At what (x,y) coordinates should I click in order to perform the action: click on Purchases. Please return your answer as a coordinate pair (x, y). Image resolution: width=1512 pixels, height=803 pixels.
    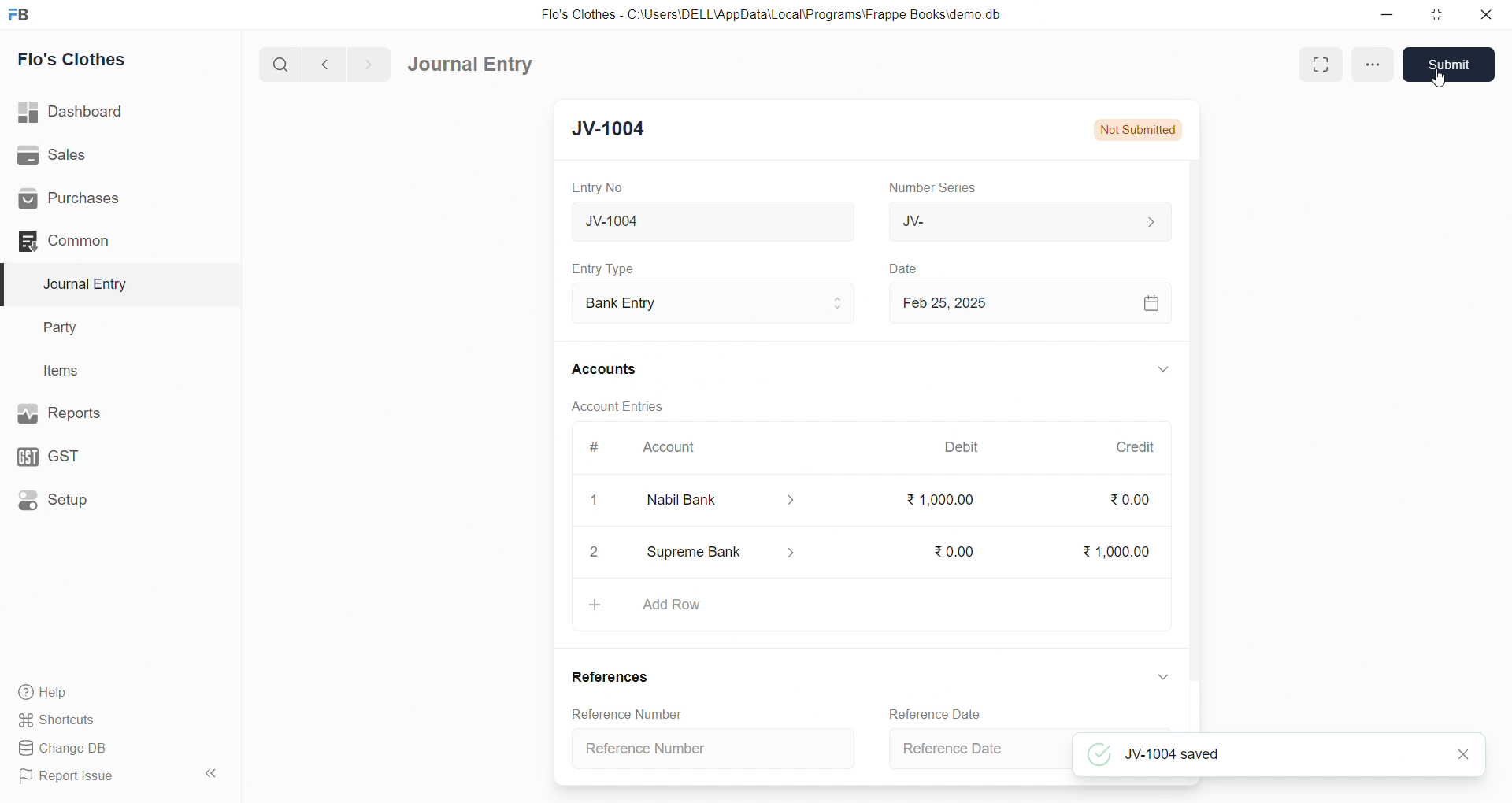
    Looking at the image, I should click on (113, 199).